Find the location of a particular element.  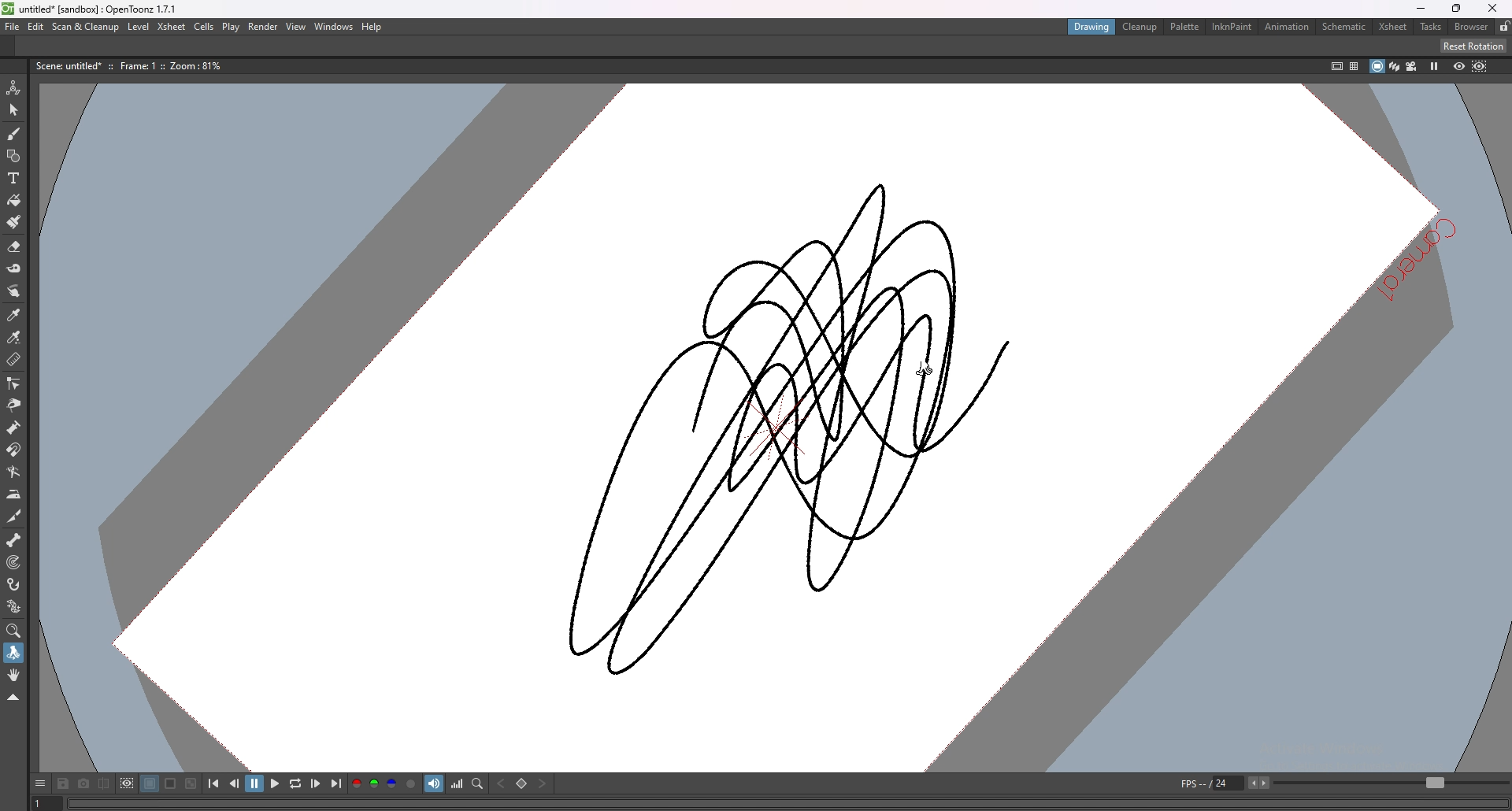

fill brush tool is located at coordinates (14, 221).